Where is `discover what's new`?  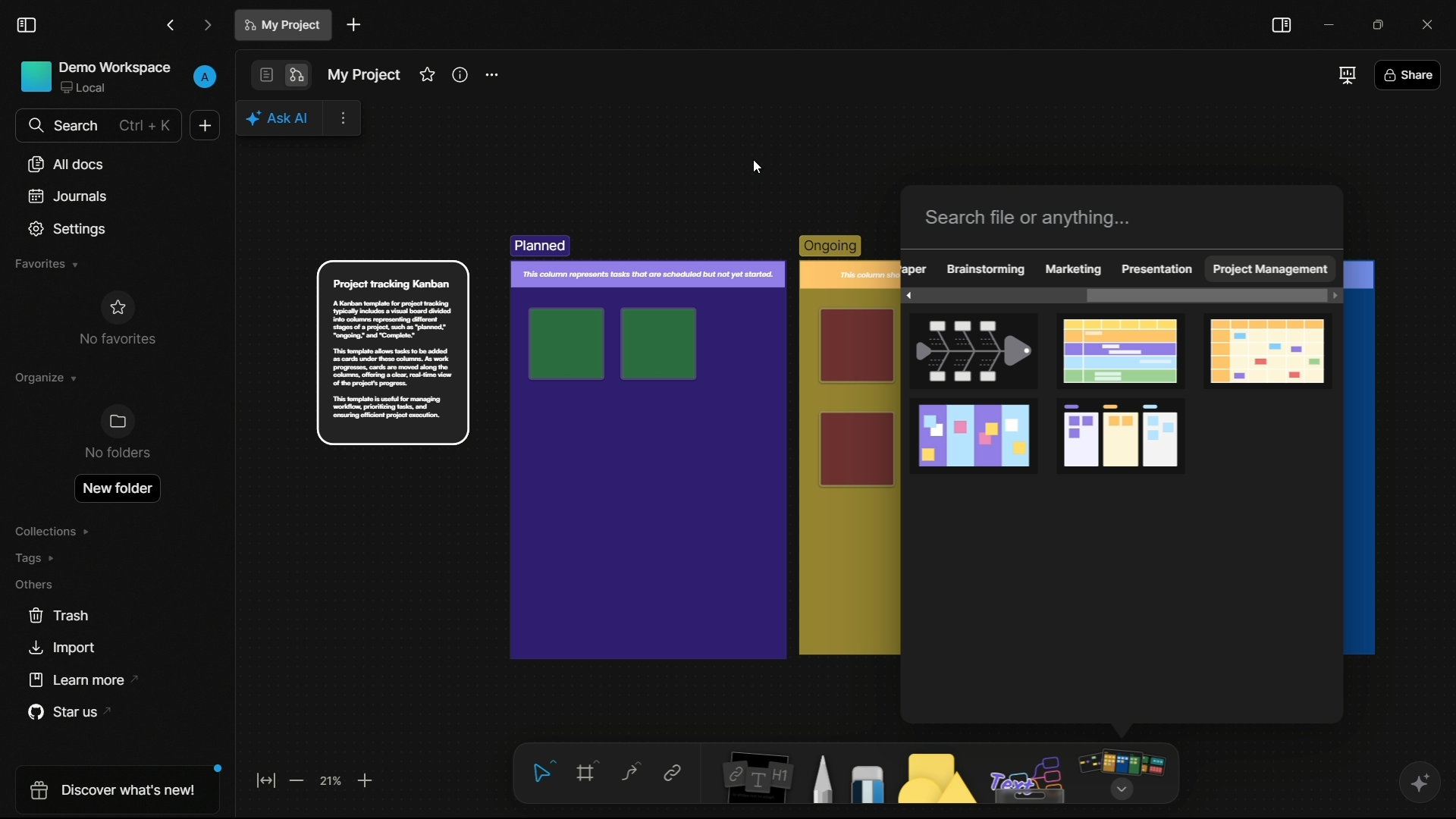 discover what's new is located at coordinates (121, 789).